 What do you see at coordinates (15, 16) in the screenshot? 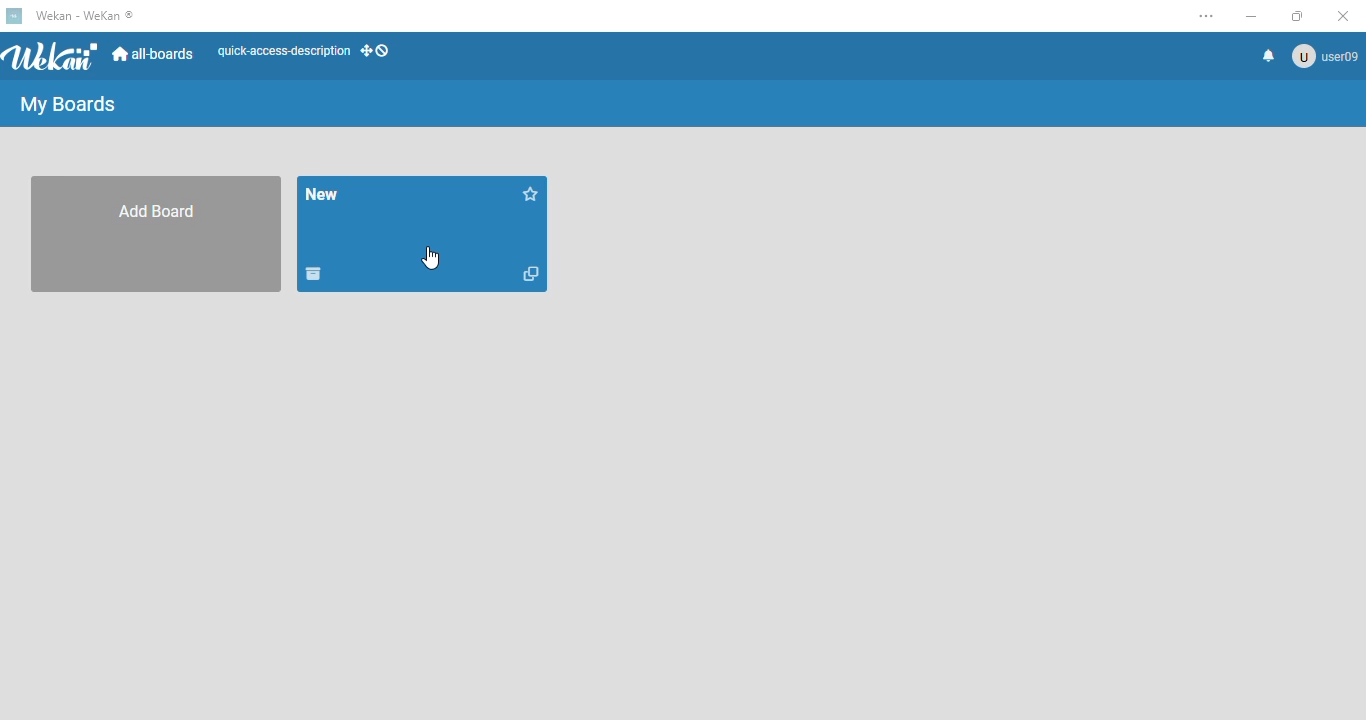
I see `logo` at bounding box center [15, 16].